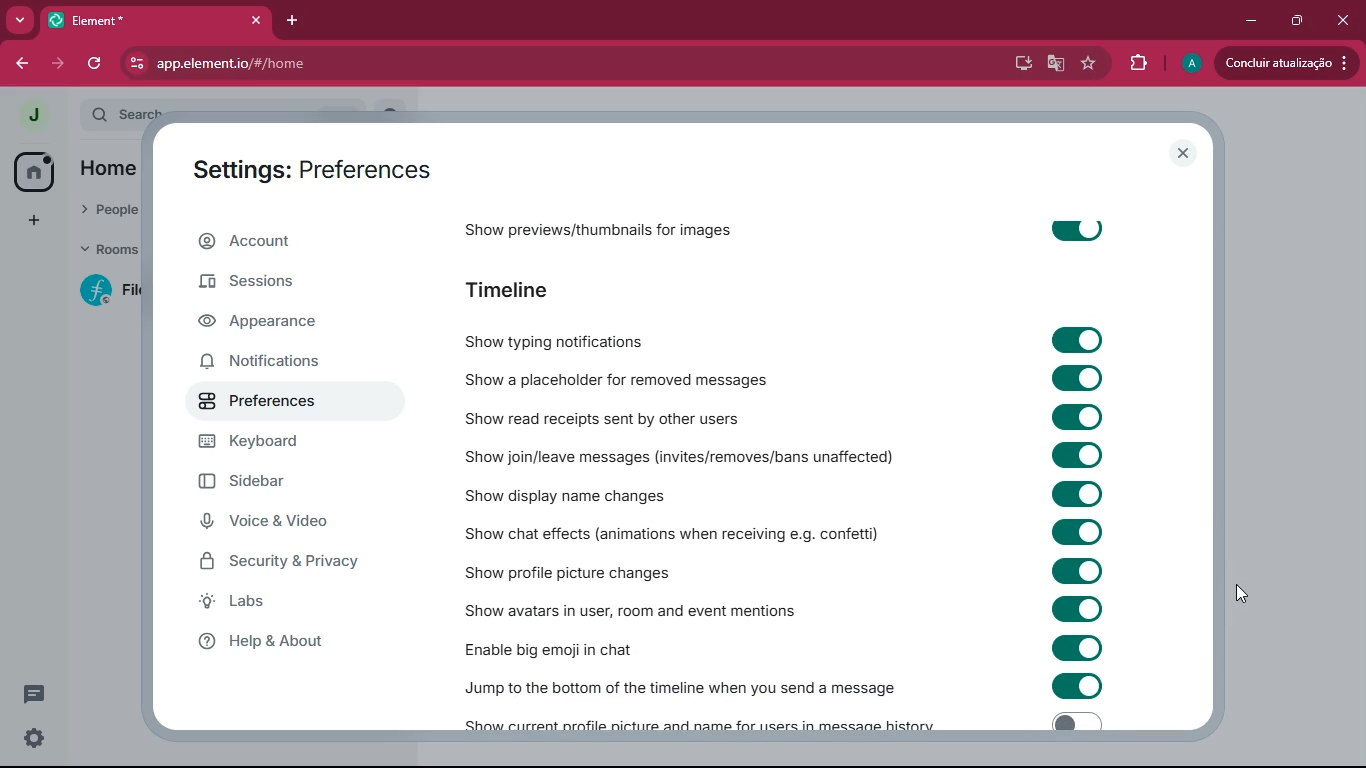  I want to click on forward, so click(56, 64).